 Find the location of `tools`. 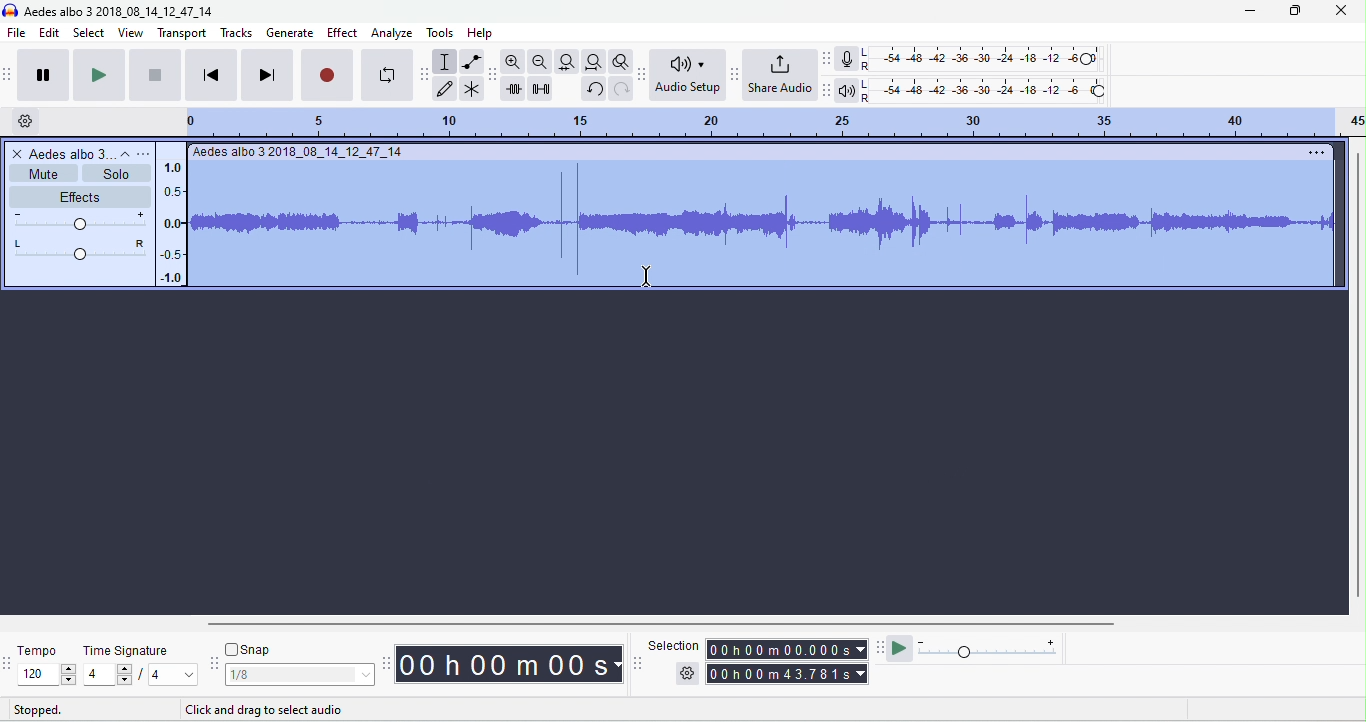

tools is located at coordinates (441, 33).